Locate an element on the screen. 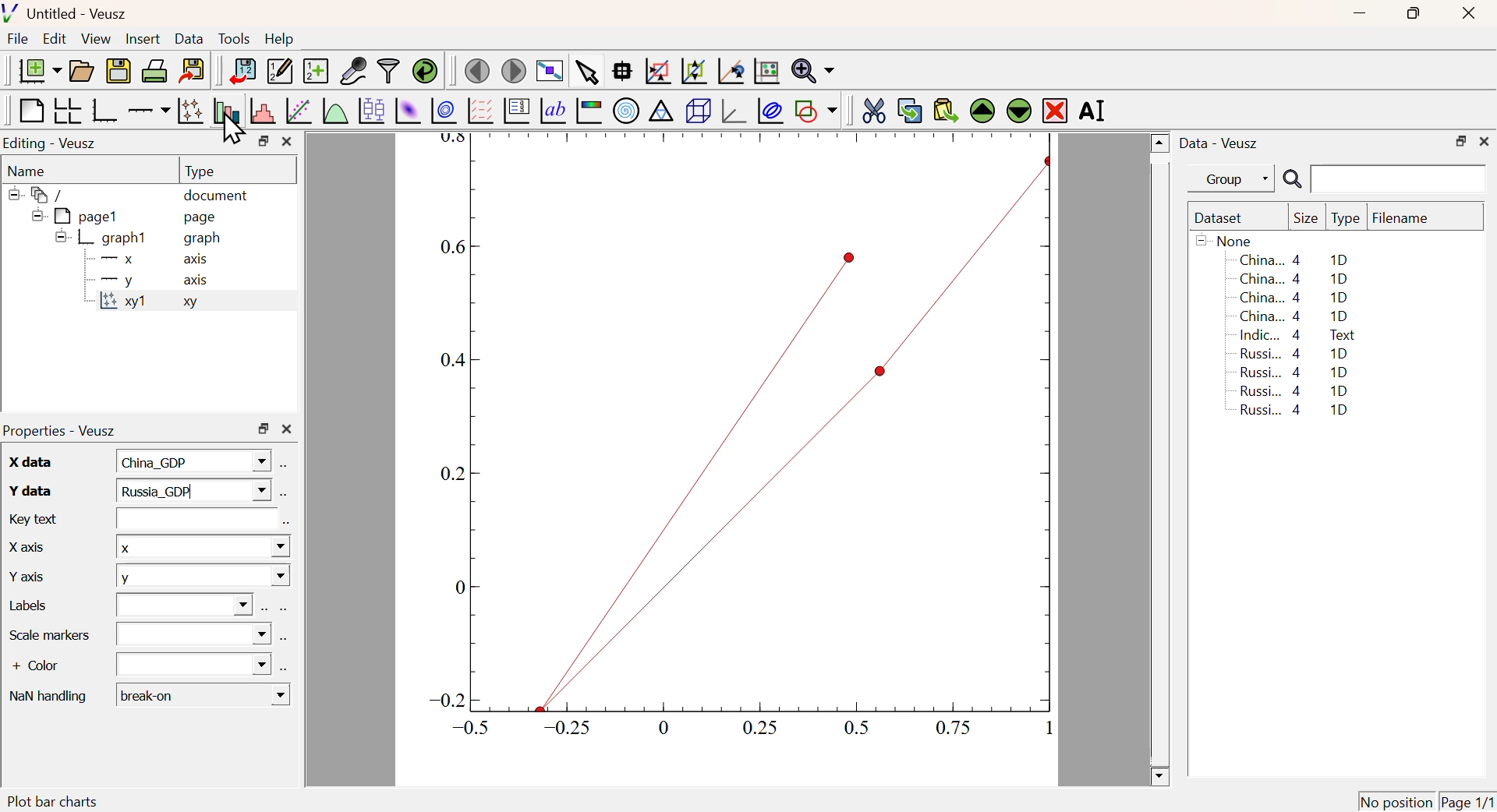 This screenshot has height=812, width=1497. Help is located at coordinates (280, 39).